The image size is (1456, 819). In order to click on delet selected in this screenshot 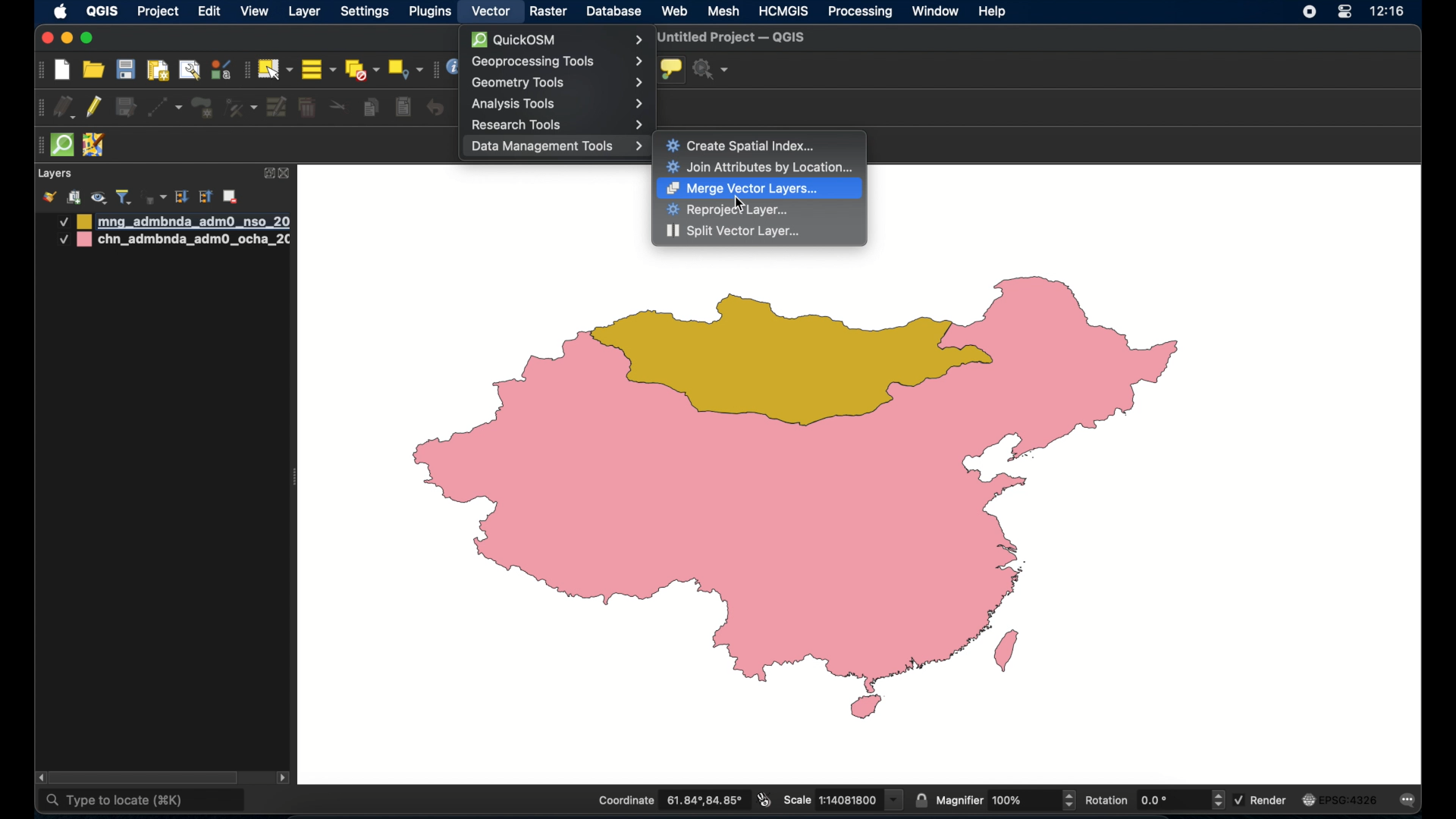, I will do `click(306, 108)`.